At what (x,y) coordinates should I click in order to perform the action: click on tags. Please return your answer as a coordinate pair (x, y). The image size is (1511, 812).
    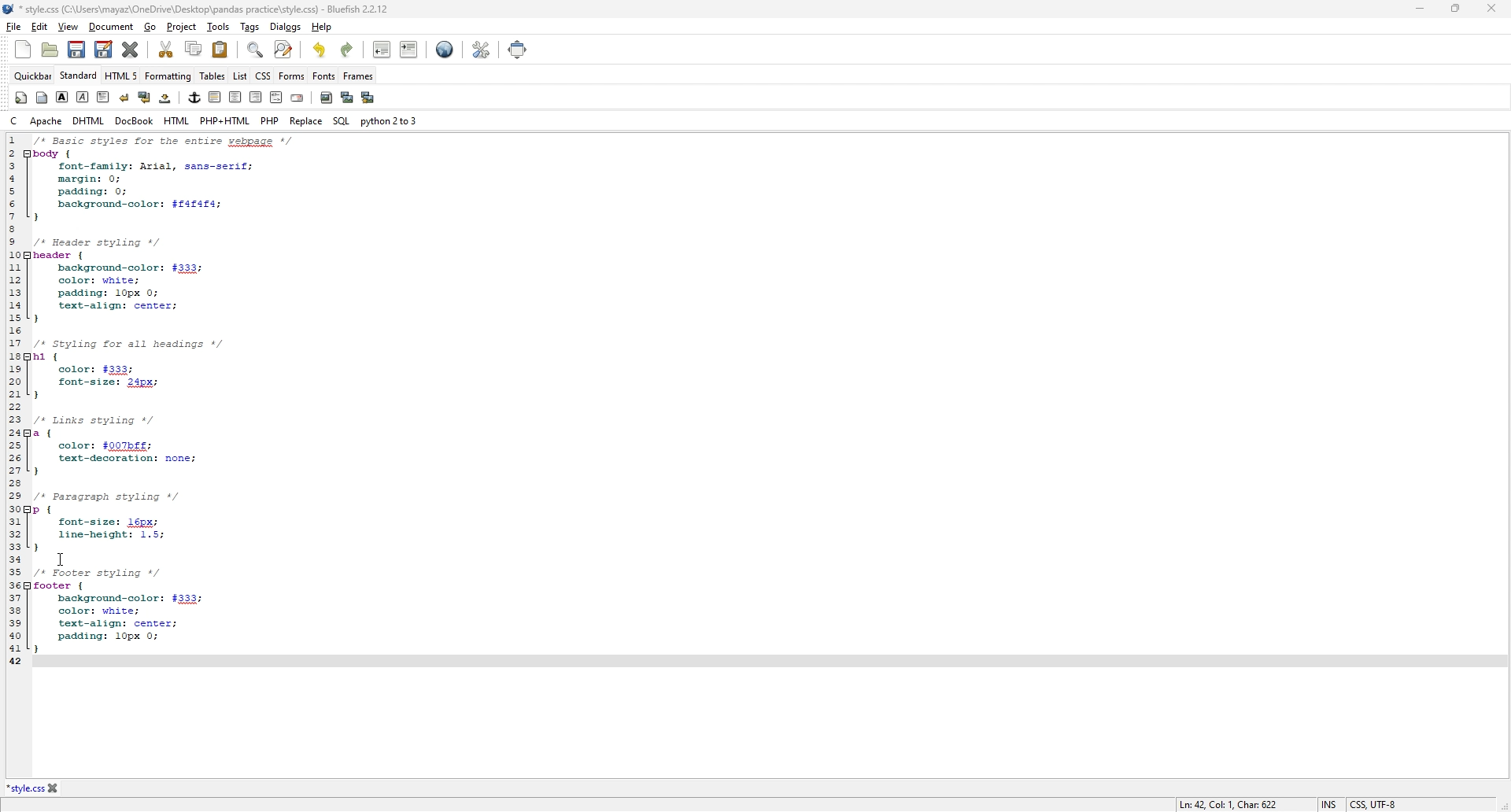
    Looking at the image, I should click on (250, 25).